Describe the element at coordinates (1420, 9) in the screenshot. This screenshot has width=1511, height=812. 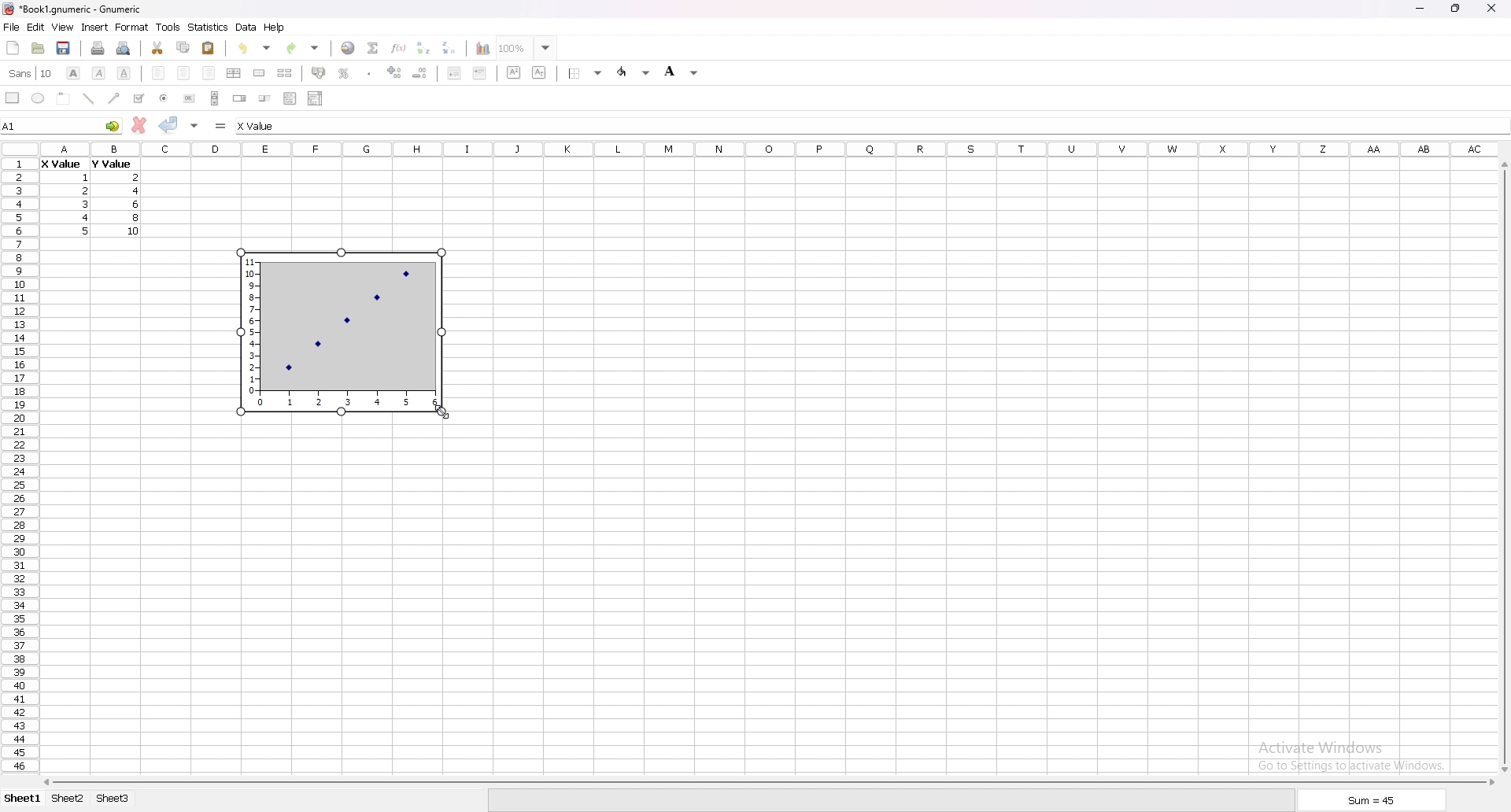
I see `minimize` at that location.